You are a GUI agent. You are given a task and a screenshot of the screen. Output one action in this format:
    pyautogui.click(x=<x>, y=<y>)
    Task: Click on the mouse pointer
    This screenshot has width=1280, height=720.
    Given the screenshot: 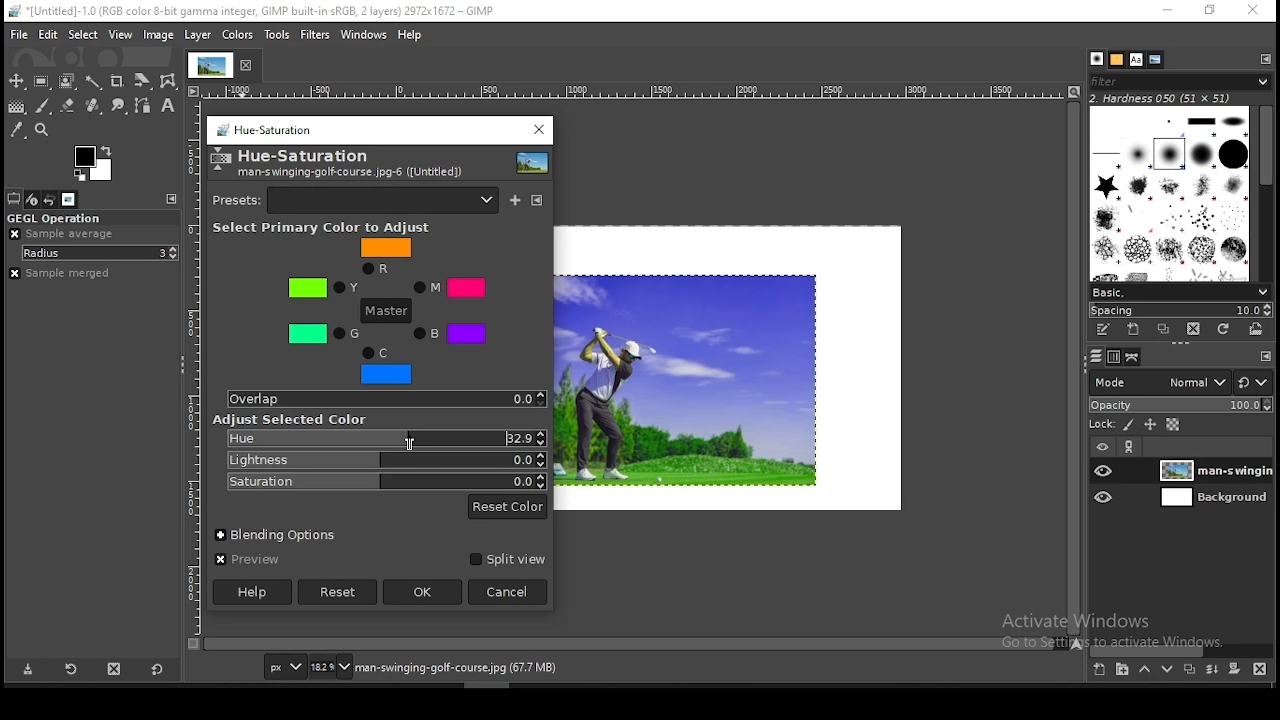 What is the action you would take?
    pyautogui.click(x=410, y=442)
    